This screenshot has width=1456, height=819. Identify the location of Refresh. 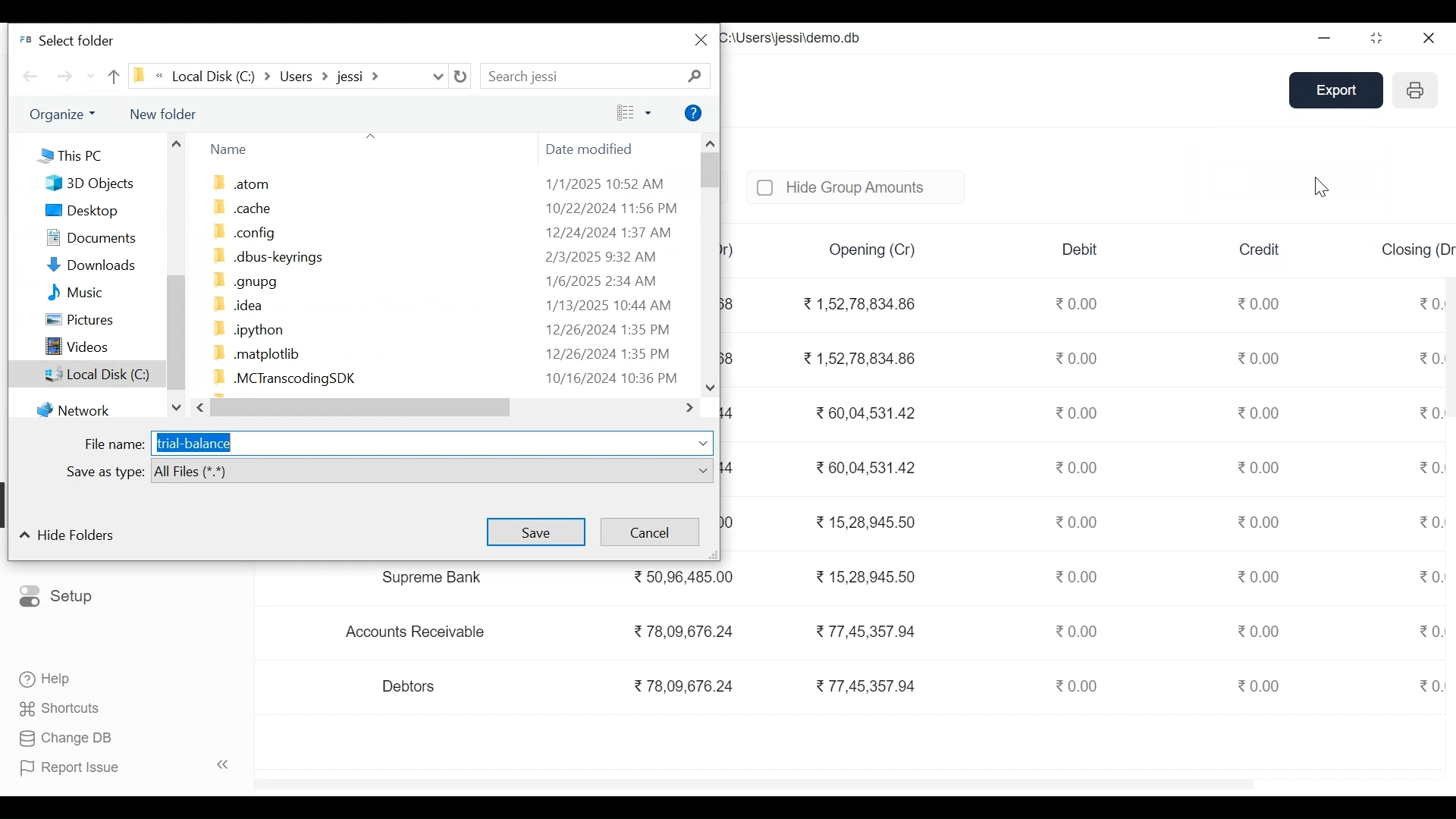
(460, 76).